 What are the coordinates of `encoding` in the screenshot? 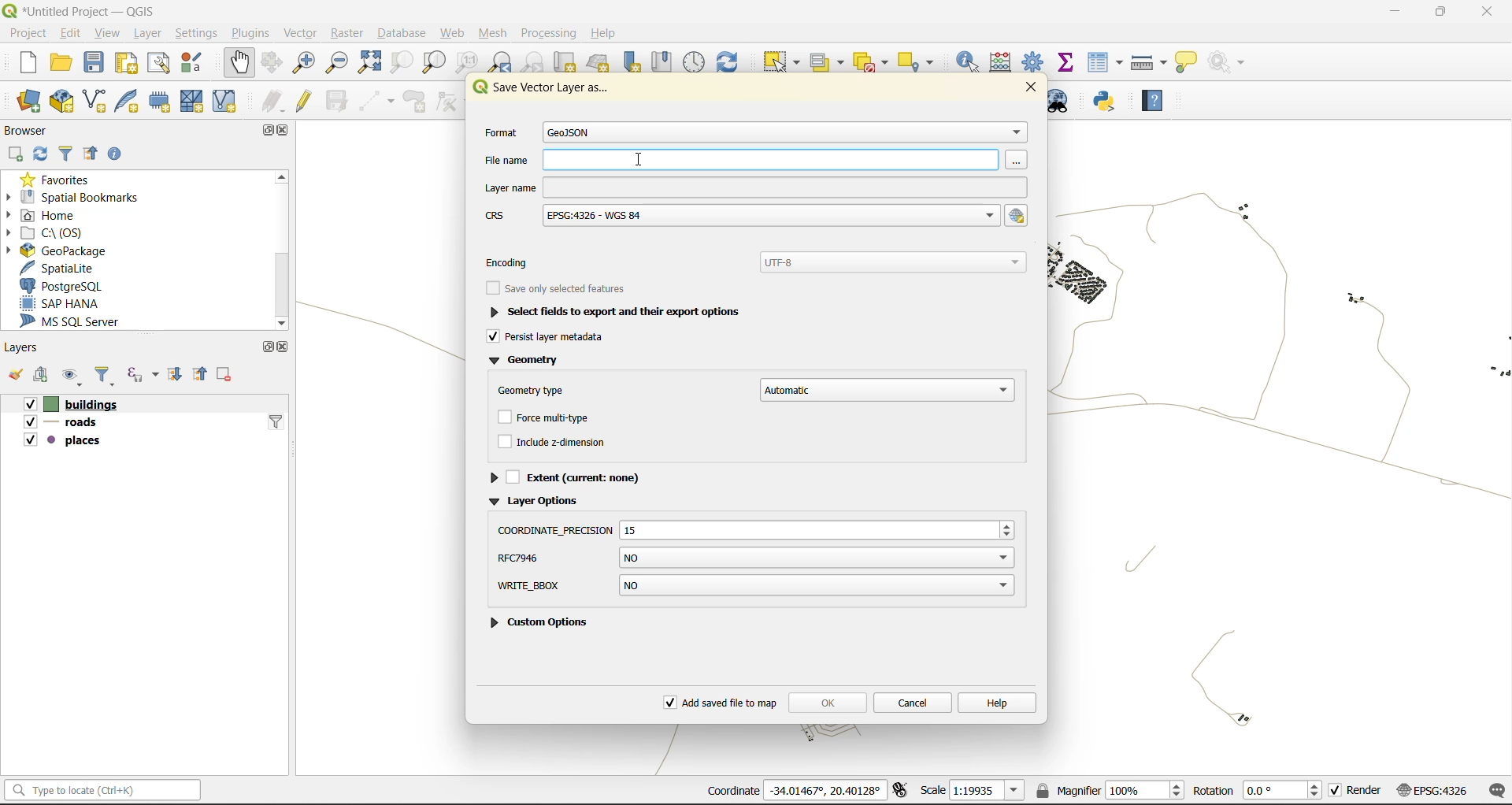 It's located at (760, 261).